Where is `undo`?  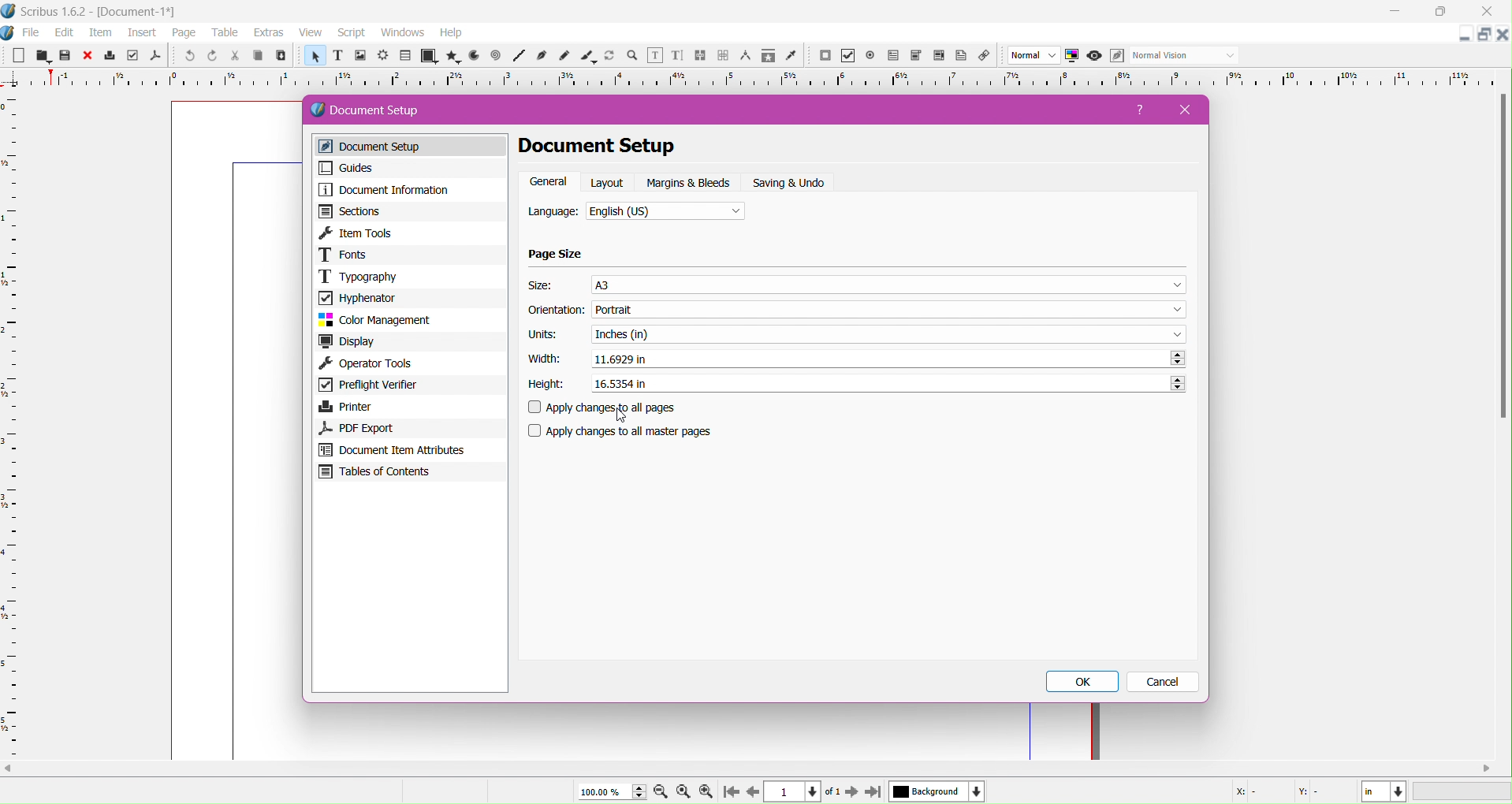
undo is located at coordinates (188, 57).